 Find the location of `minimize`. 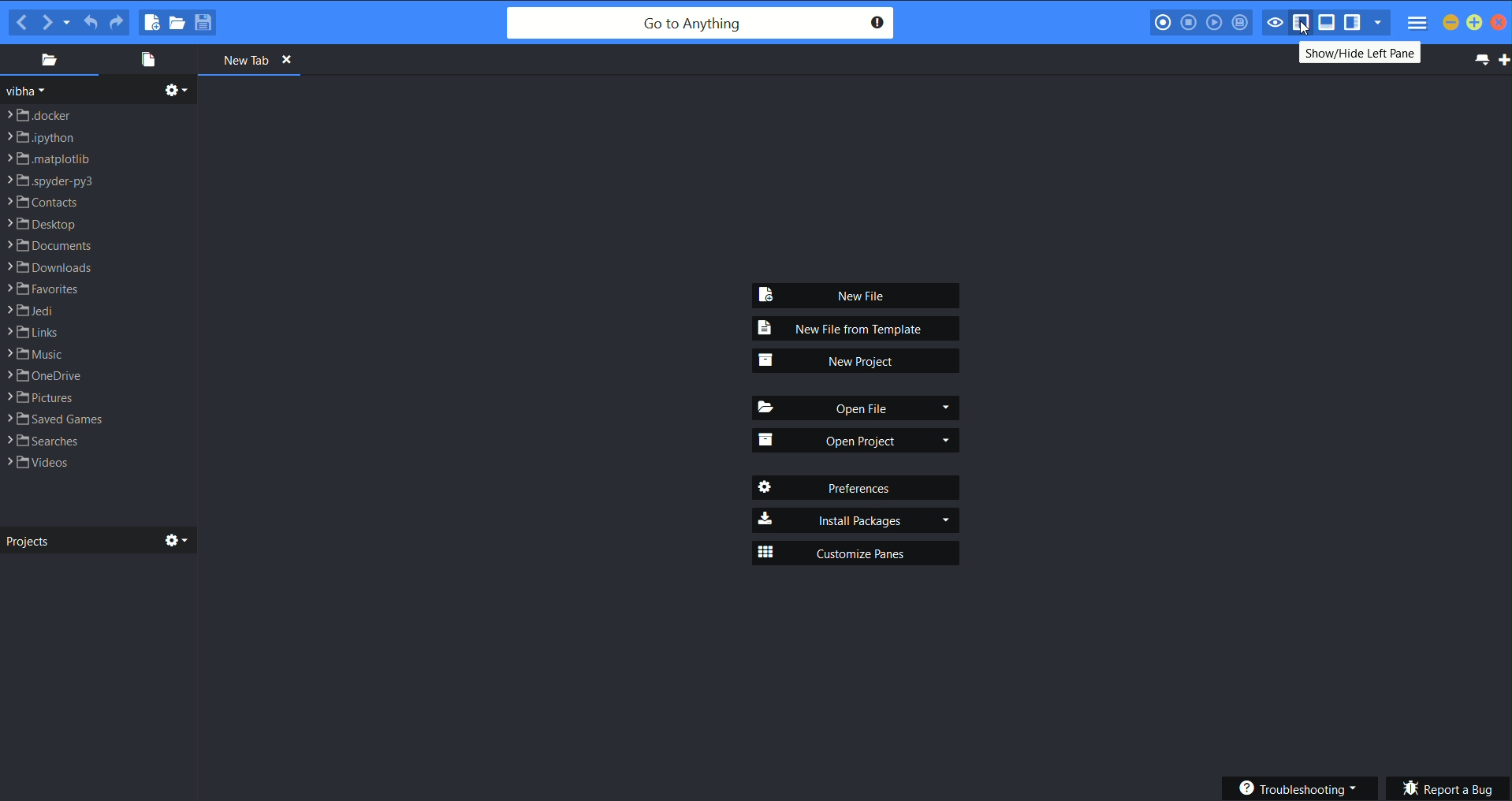

minimize is located at coordinates (1451, 22).